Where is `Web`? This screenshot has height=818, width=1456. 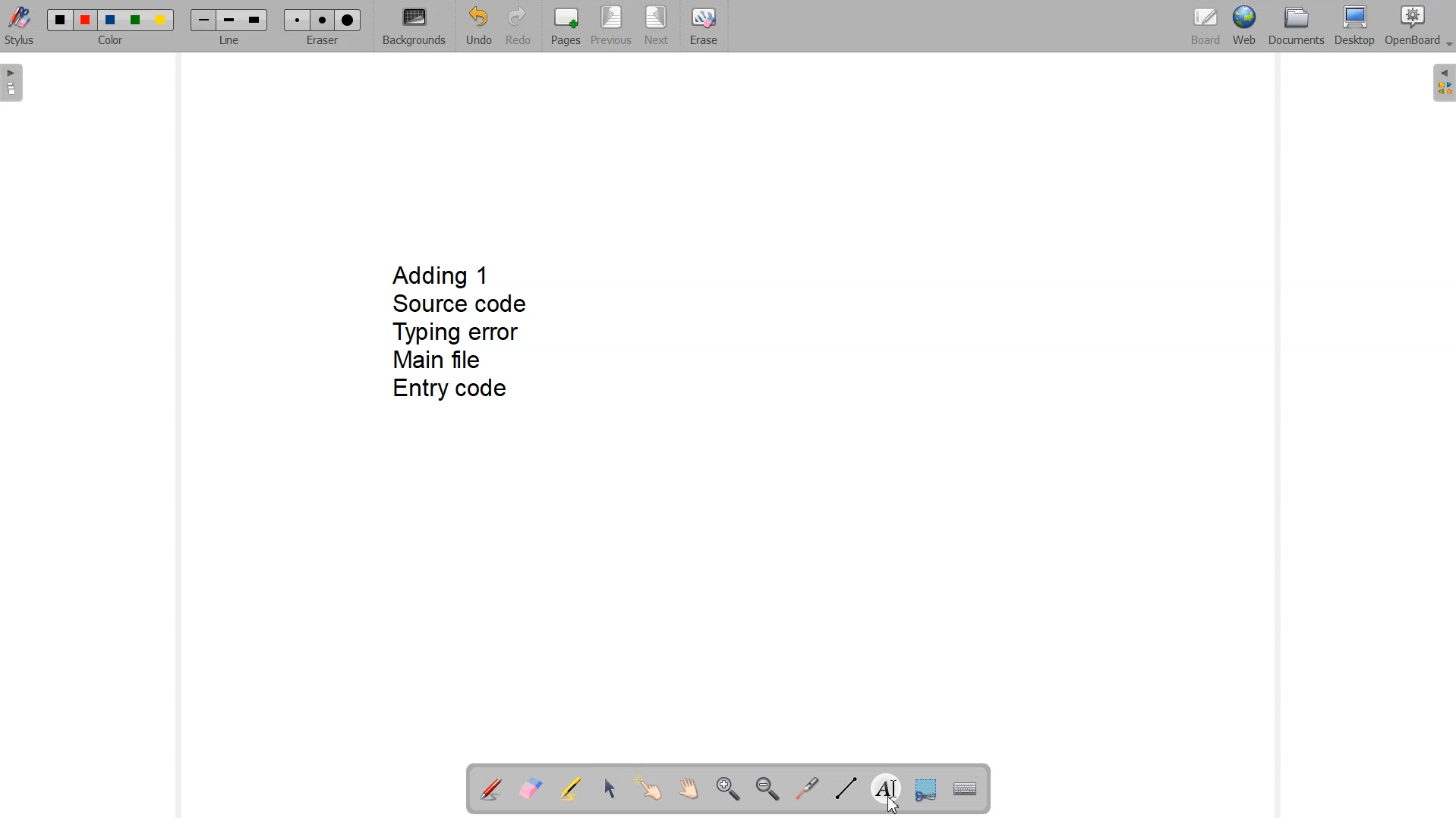 Web is located at coordinates (1244, 27).